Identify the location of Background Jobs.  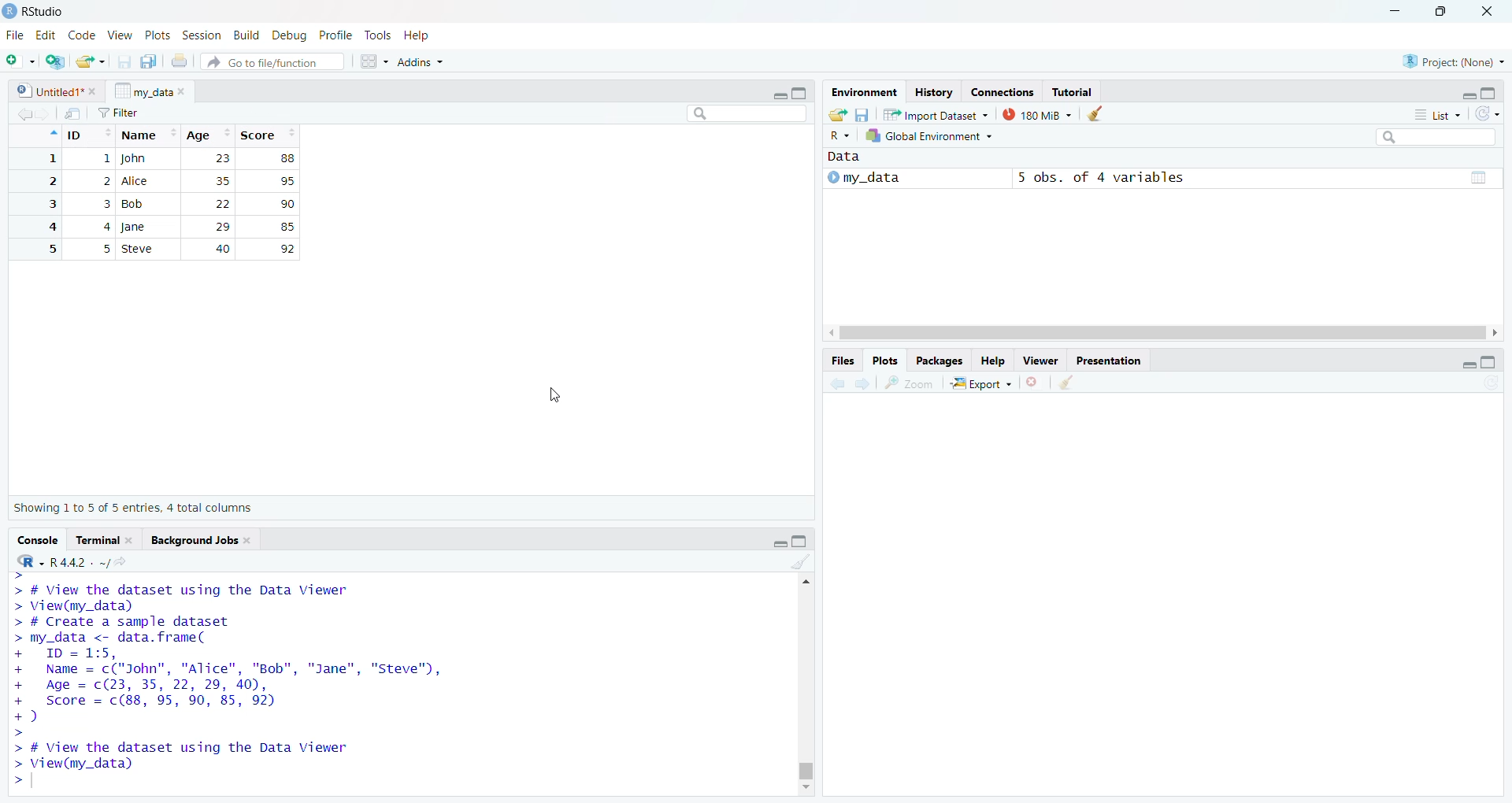
(204, 542).